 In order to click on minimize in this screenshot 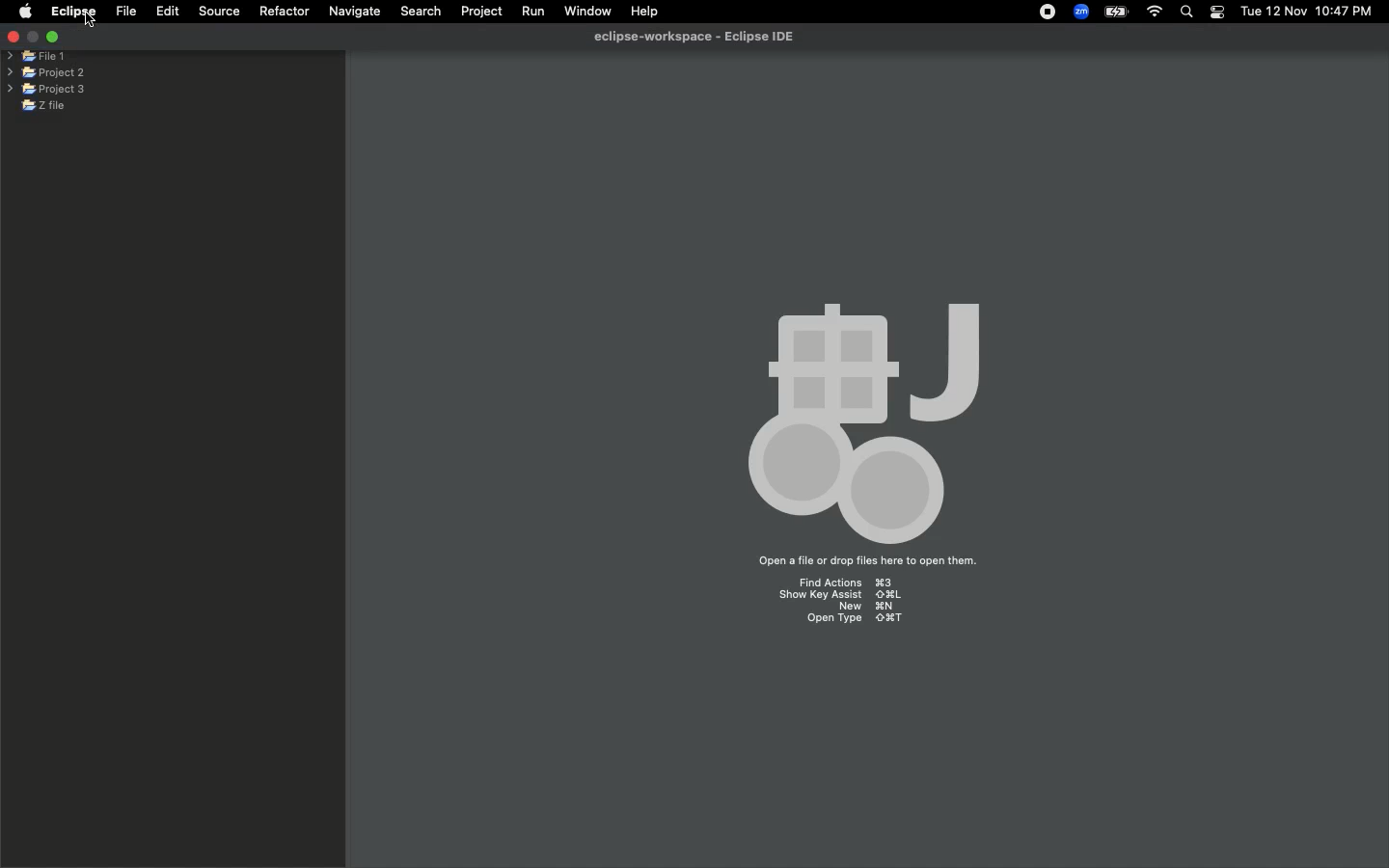, I will do `click(36, 38)`.